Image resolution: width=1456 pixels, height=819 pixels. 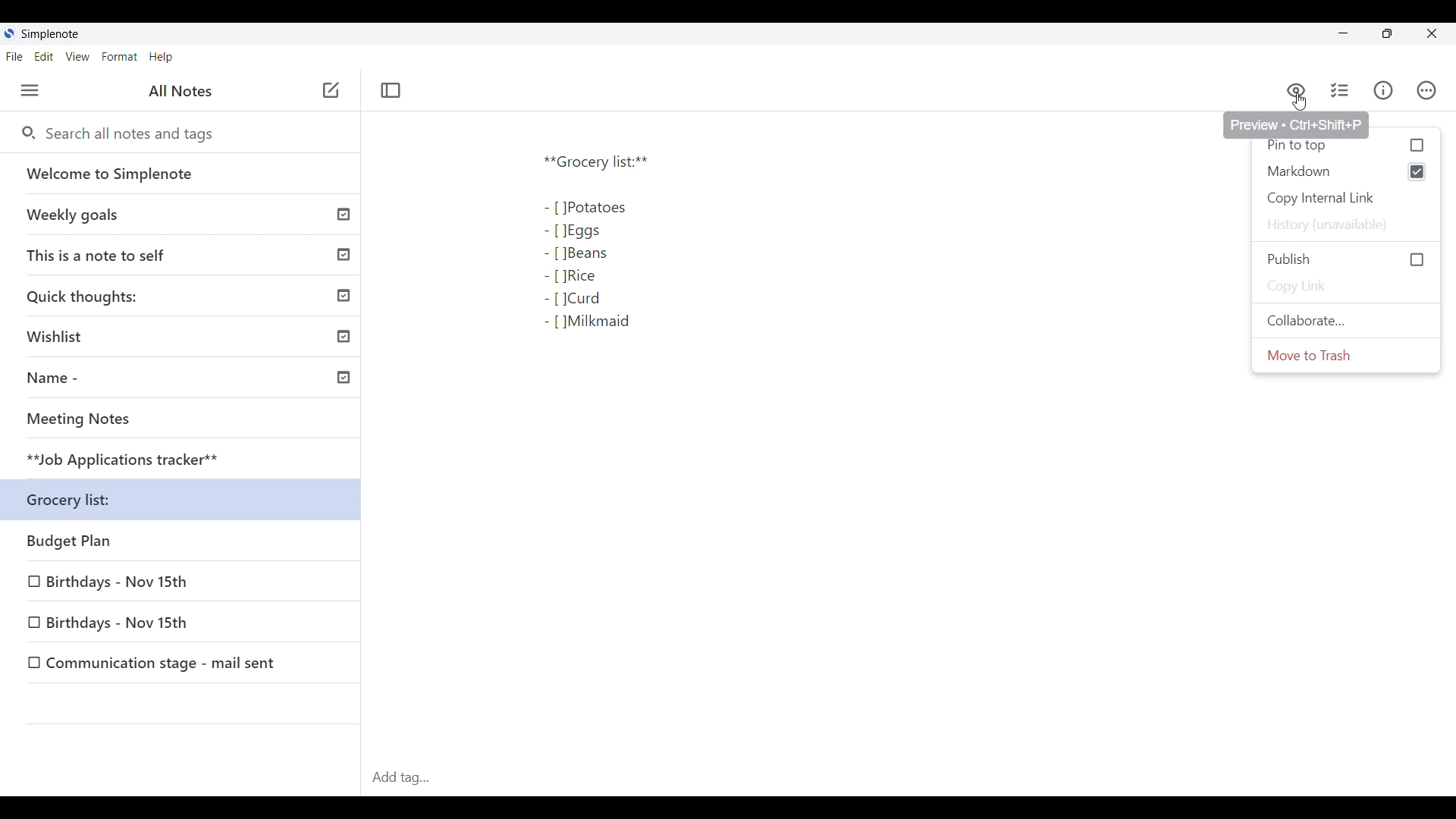 What do you see at coordinates (1339, 33) in the screenshot?
I see `Minimize` at bounding box center [1339, 33].